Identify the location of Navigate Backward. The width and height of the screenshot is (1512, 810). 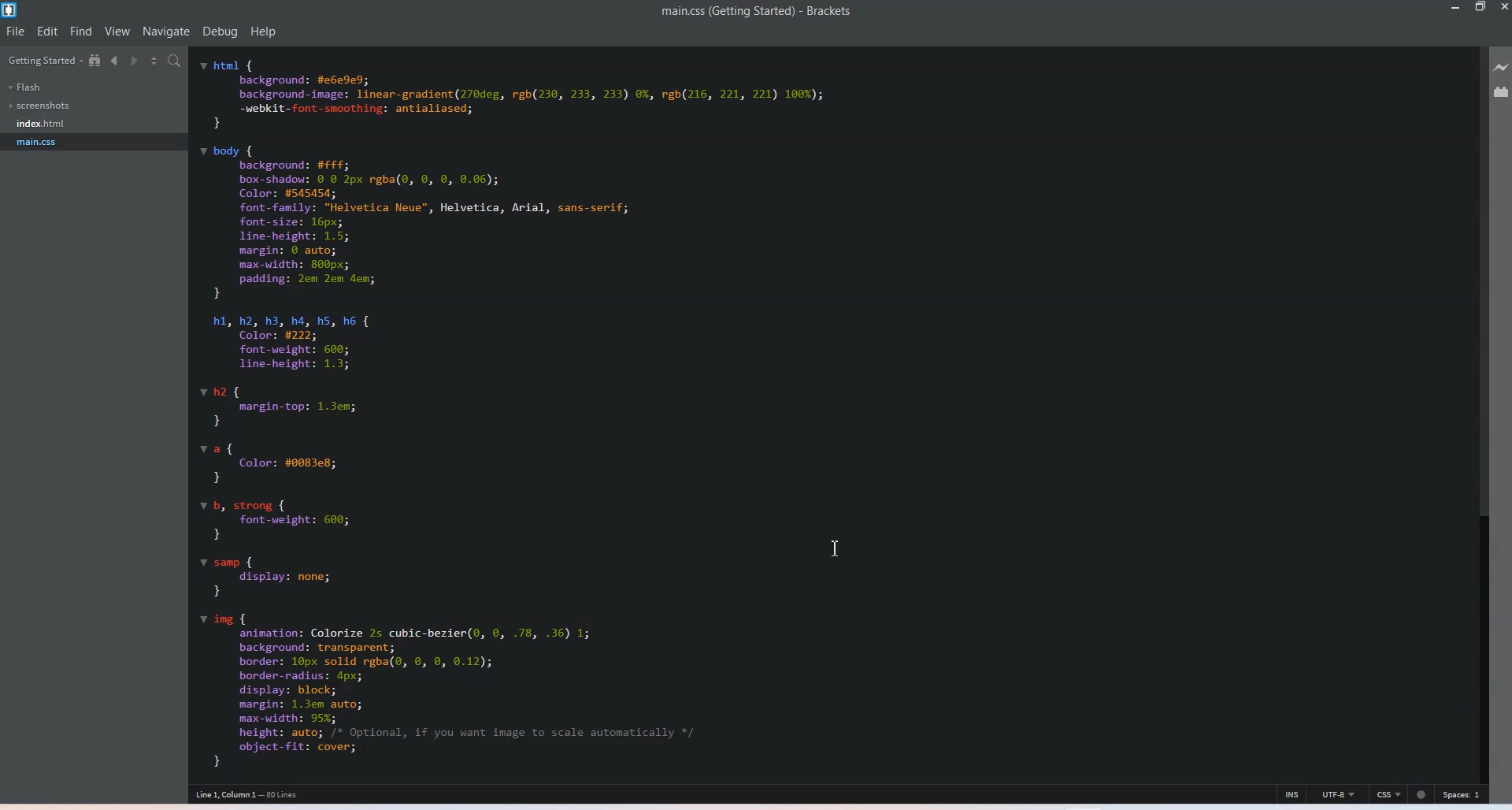
(117, 61).